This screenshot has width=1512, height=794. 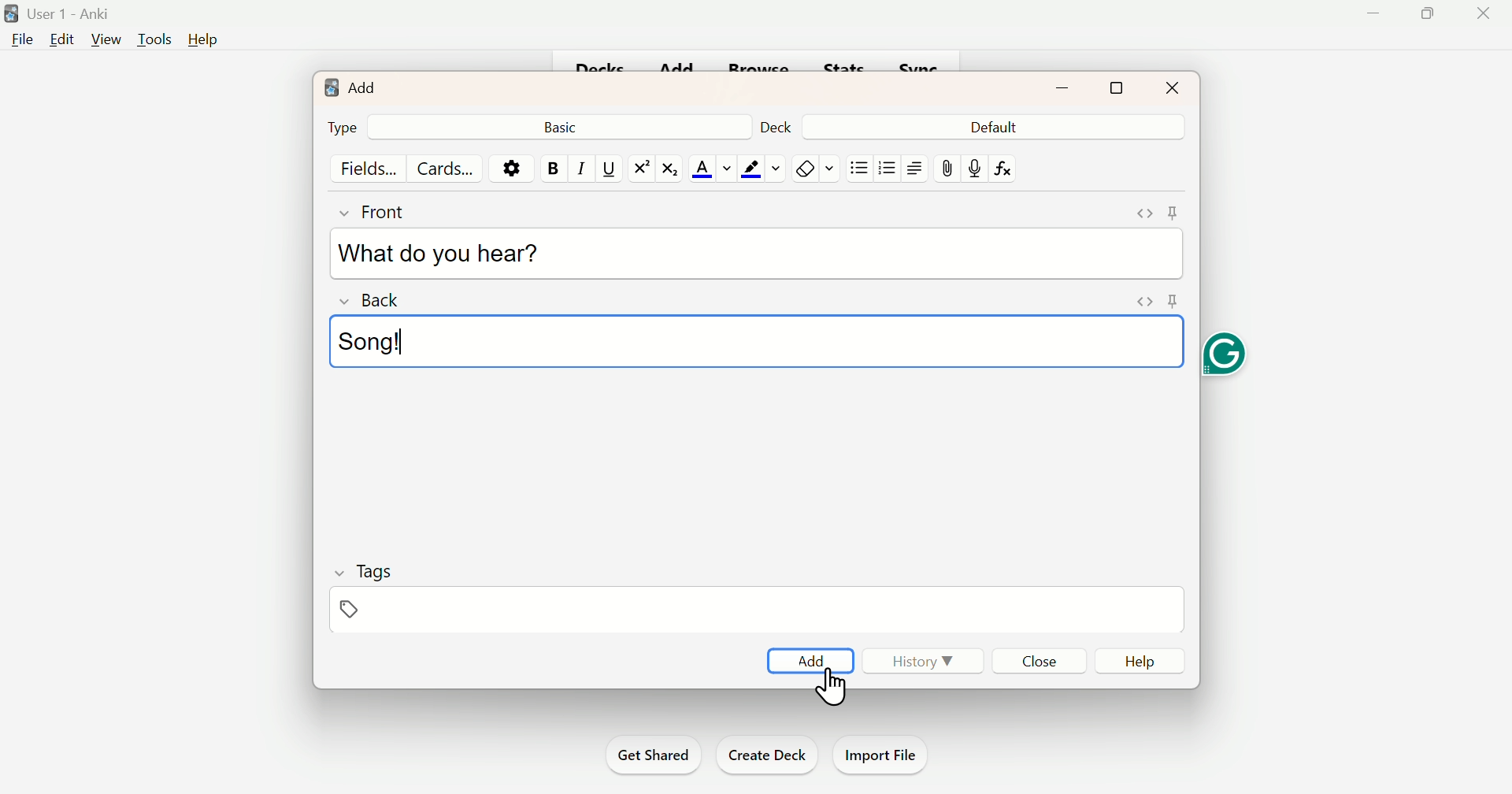 What do you see at coordinates (1432, 15) in the screenshot?
I see `Maximize` at bounding box center [1432, 15].